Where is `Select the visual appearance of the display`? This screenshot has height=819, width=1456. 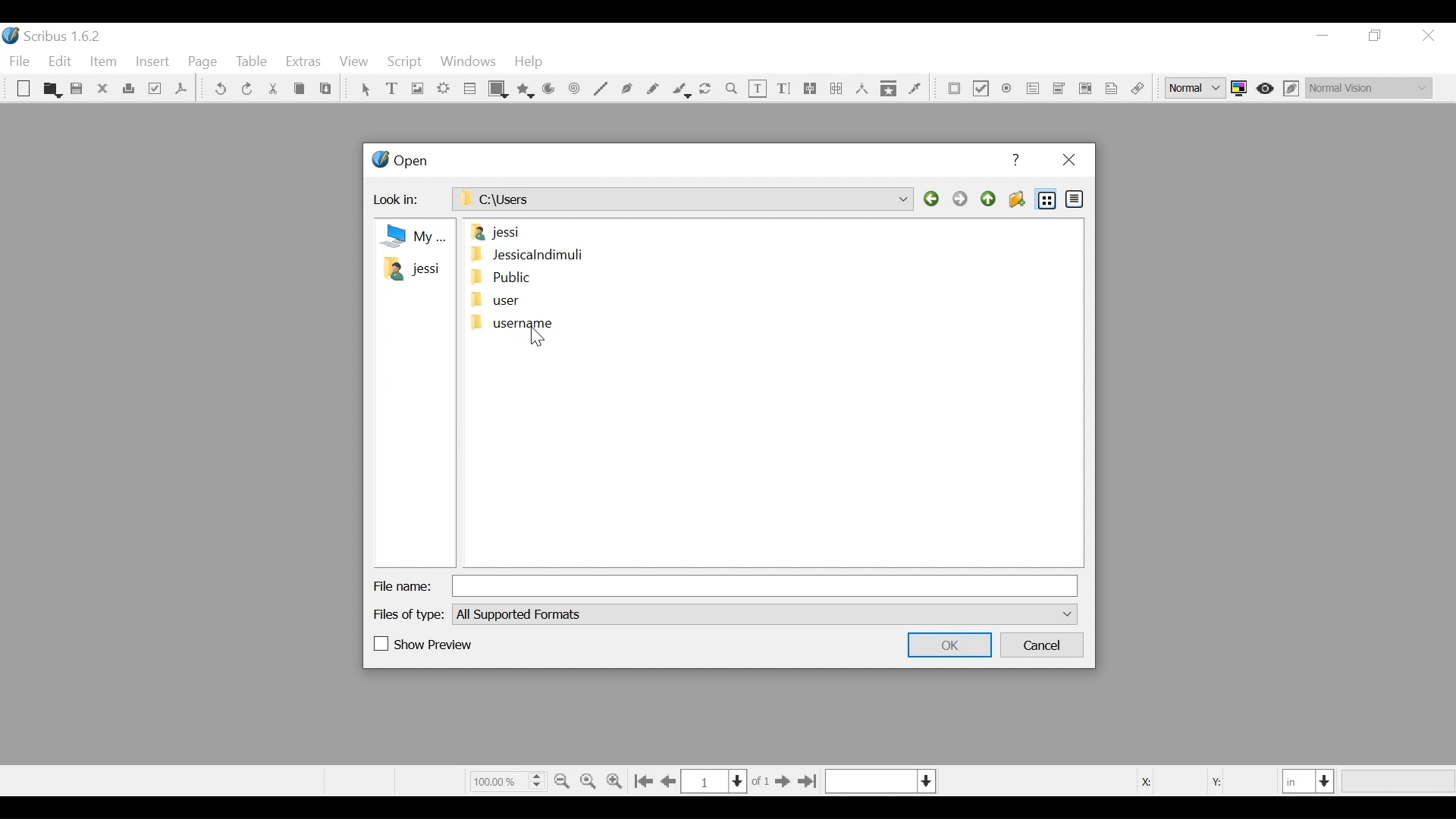
Select the visual appearance of the display is located at coordinates (1368, 86).